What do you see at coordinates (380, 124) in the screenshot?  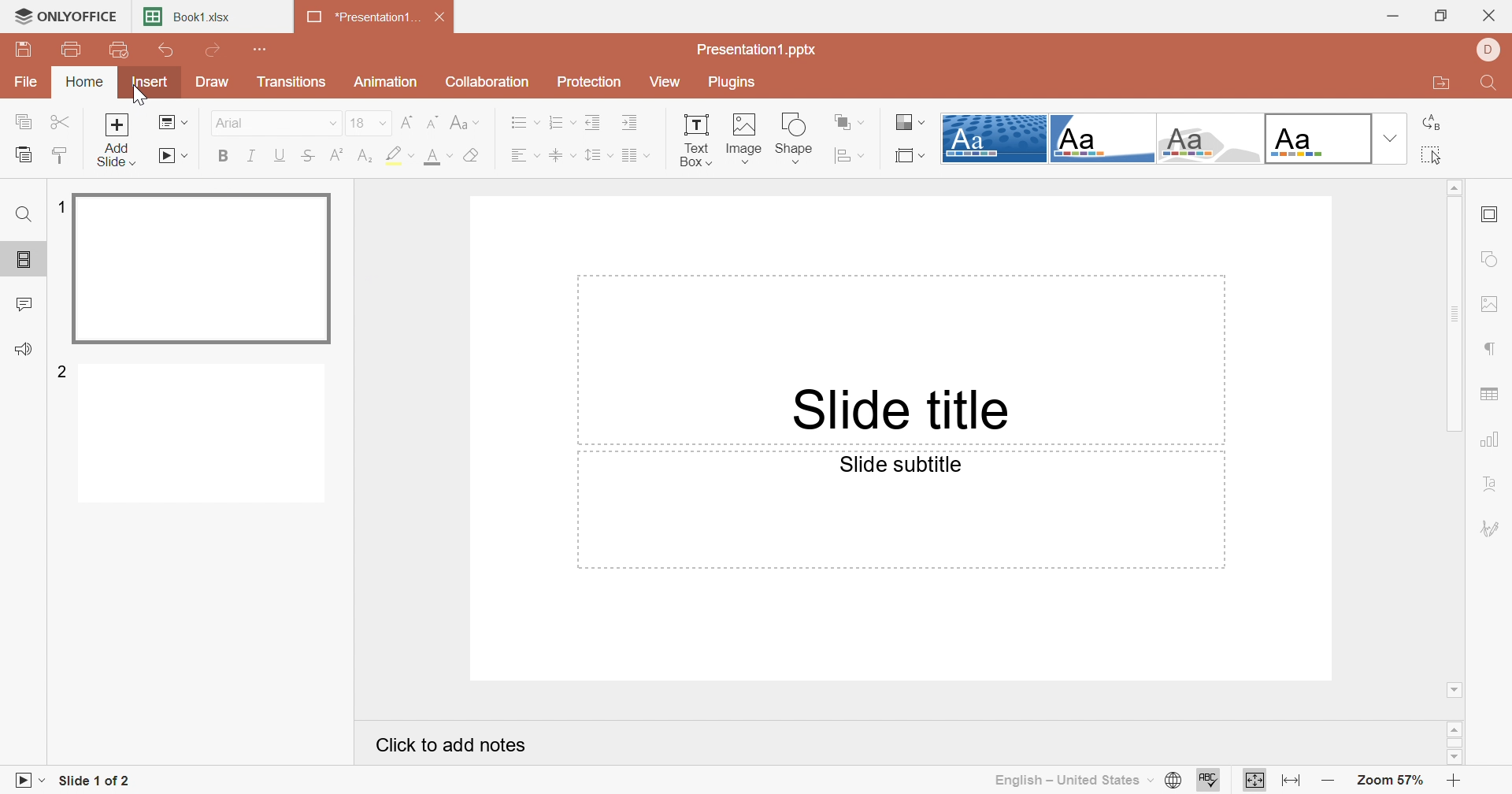 I see `Drop Down` at bounding box center [380, 124].